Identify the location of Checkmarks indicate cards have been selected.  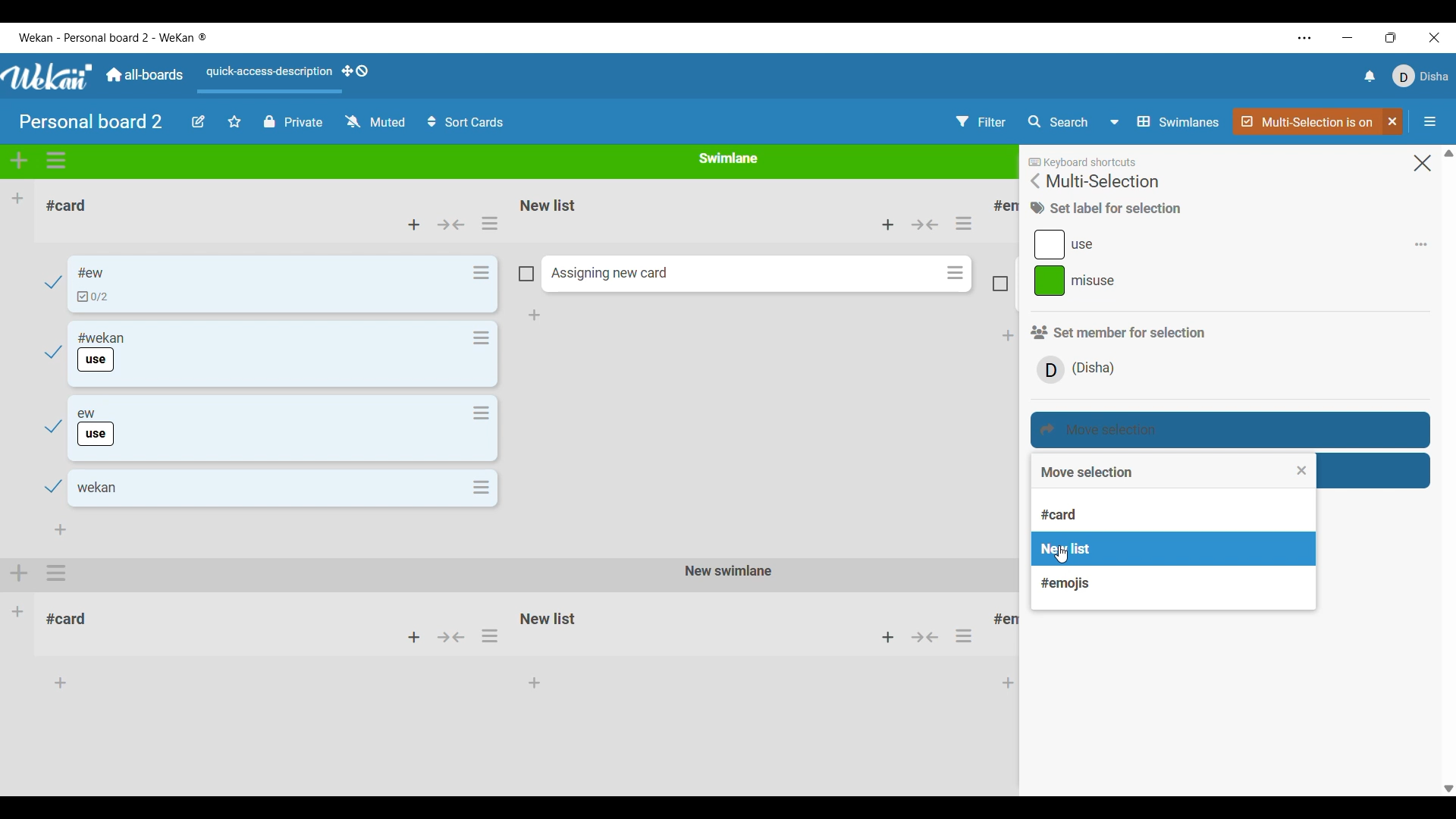
(49, 383).